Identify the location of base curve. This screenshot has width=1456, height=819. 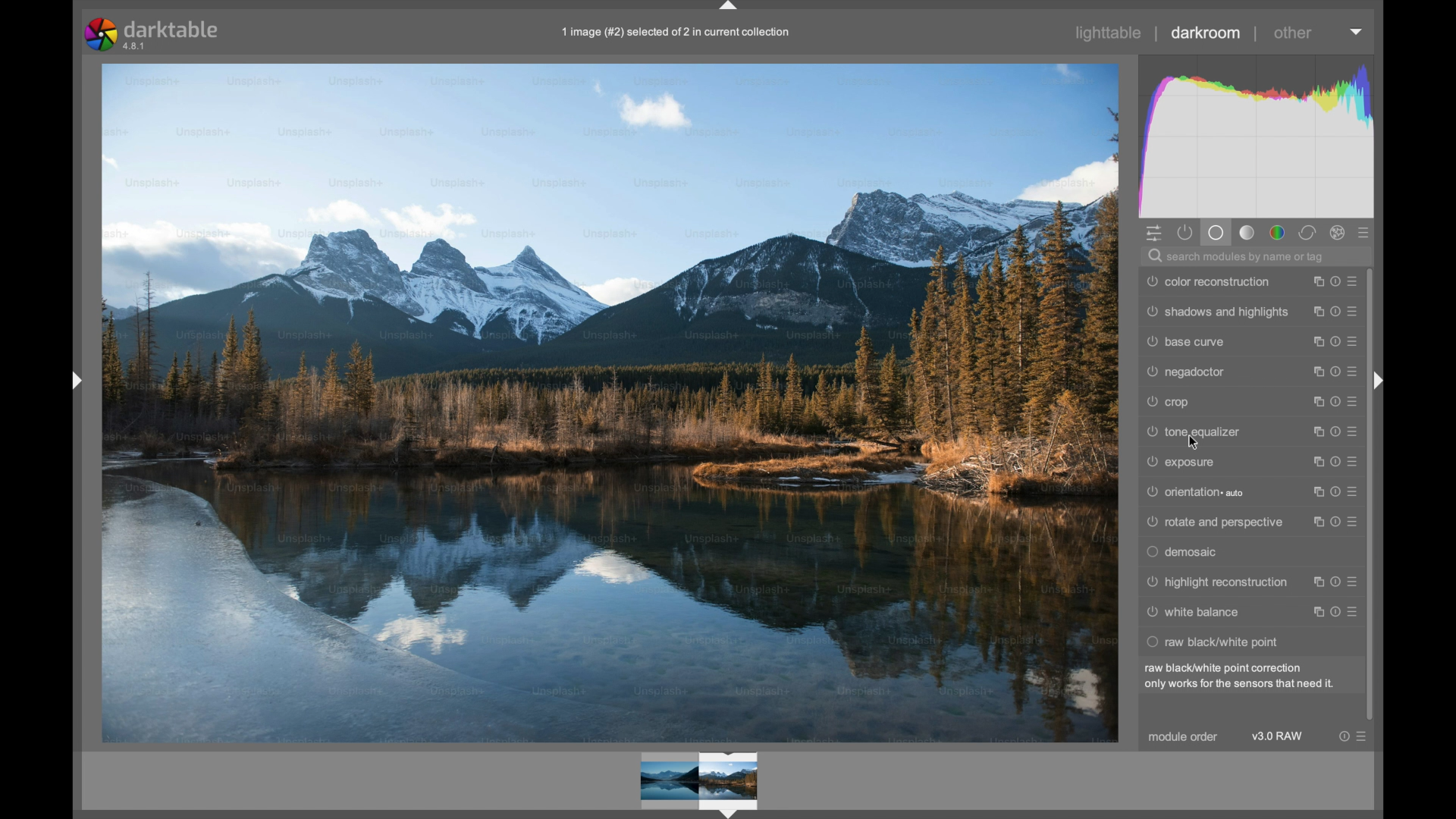
(1186, 341).